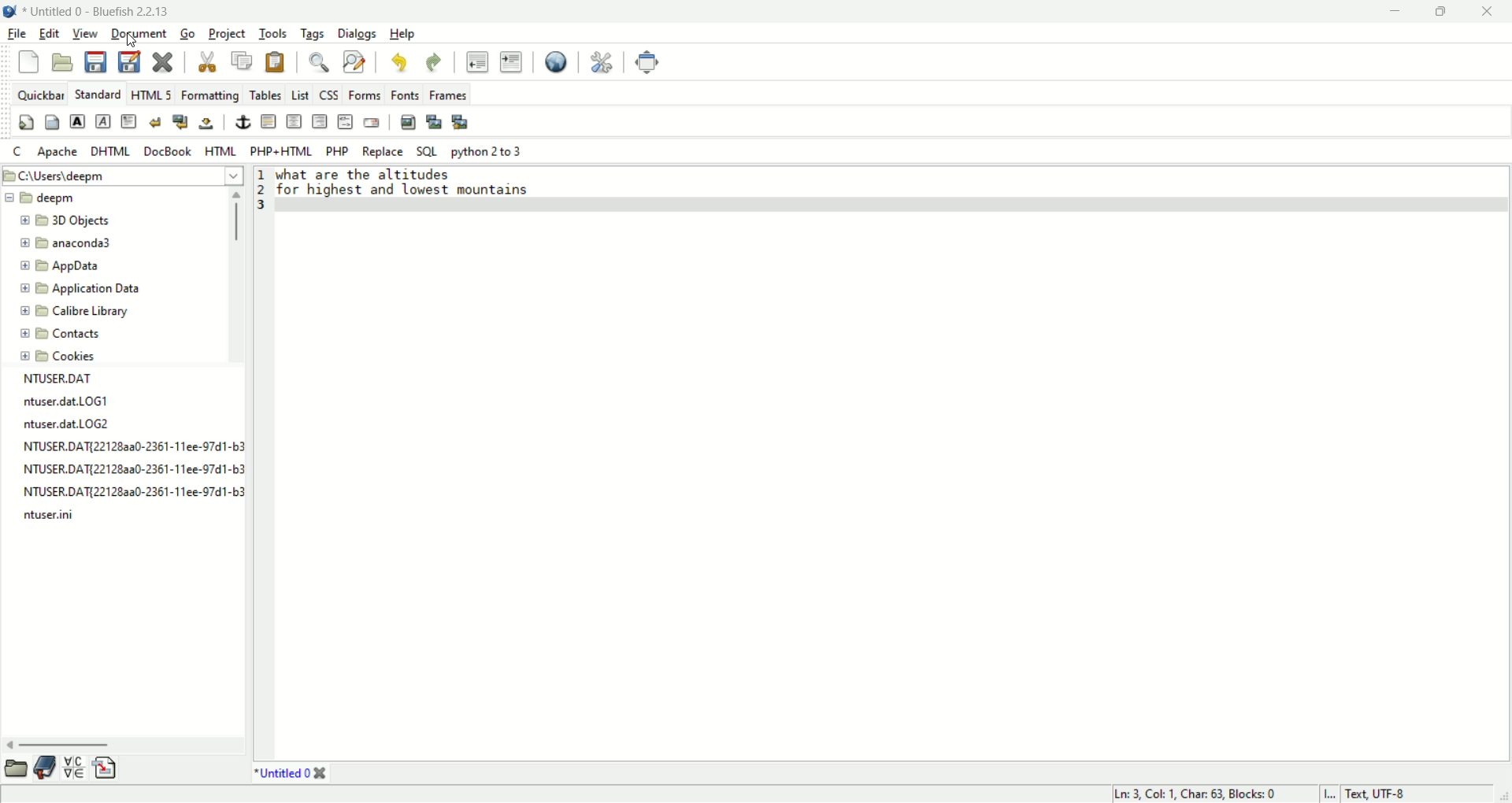  What do you see at coordinates (96, 93) in the screenshot?
I see `standard` at bounding box center [96, 93].